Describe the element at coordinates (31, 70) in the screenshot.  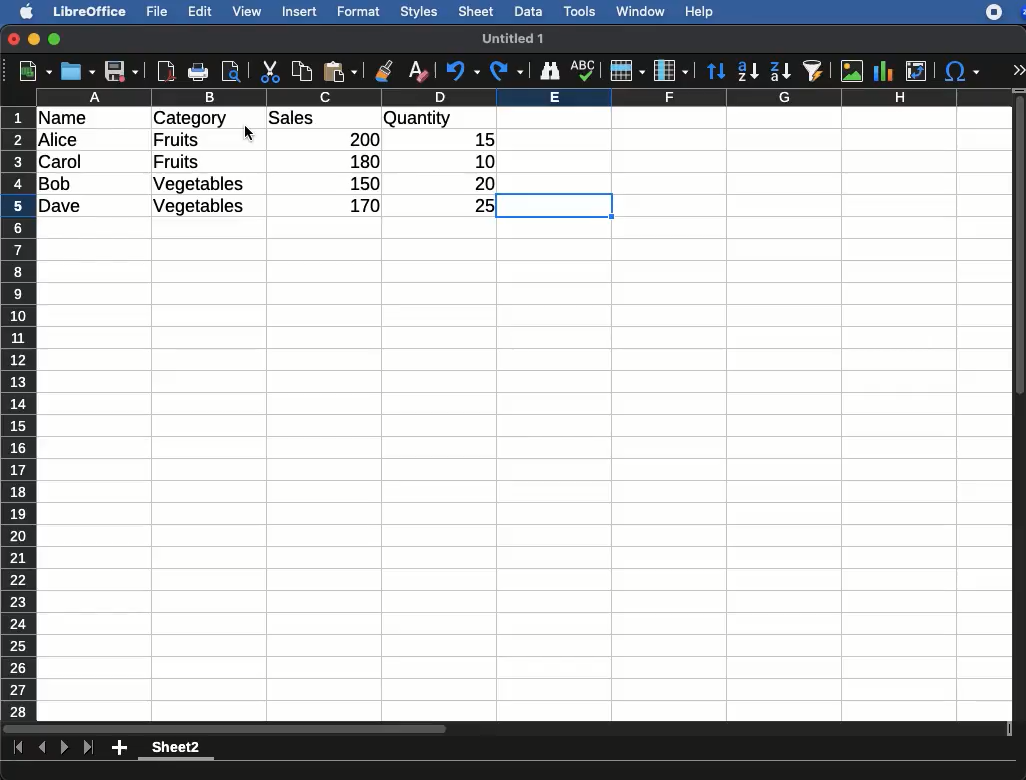
I see `new` at that location.